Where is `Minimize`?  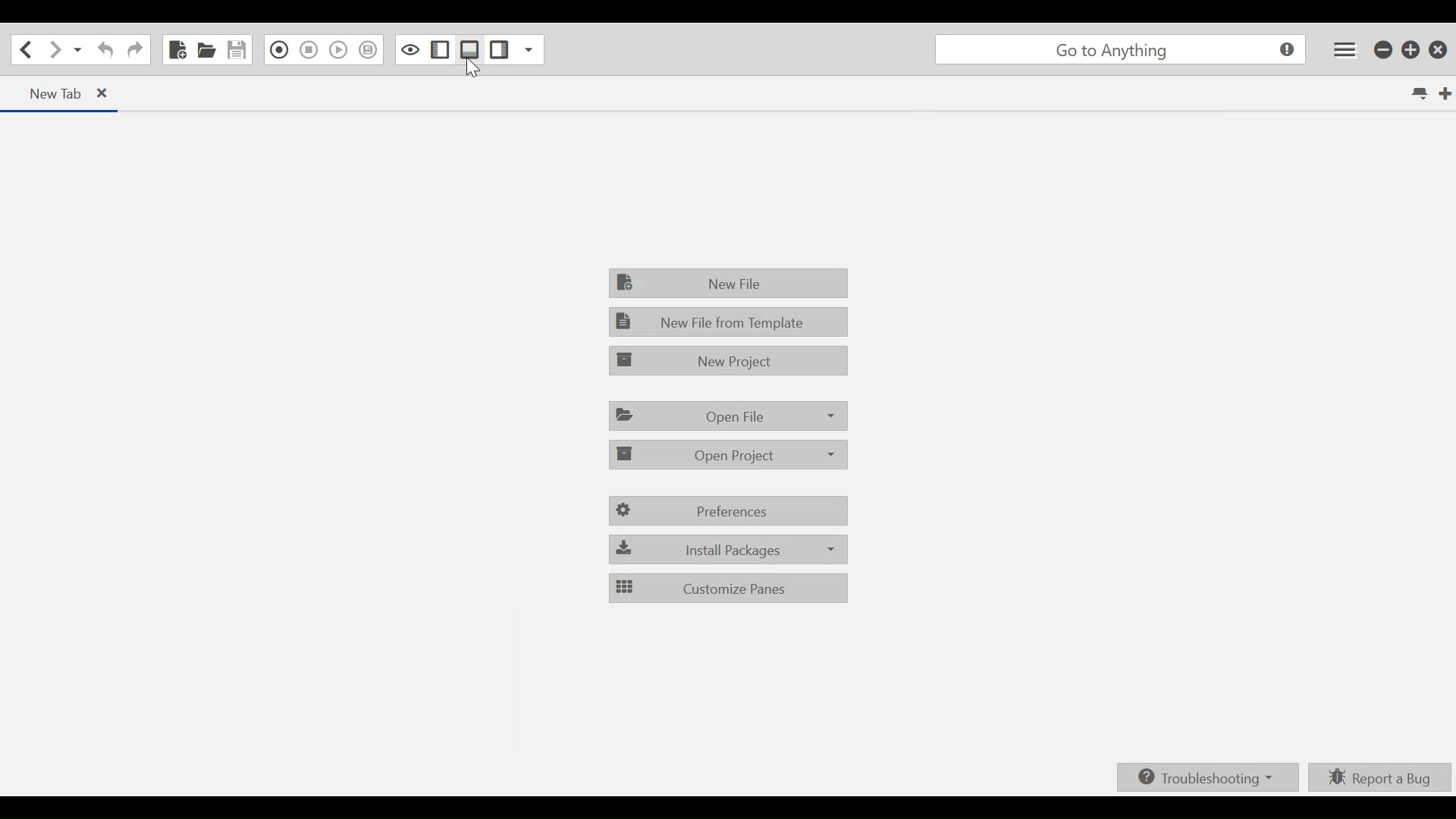 Minimize is located at coordinates (1384, 50).